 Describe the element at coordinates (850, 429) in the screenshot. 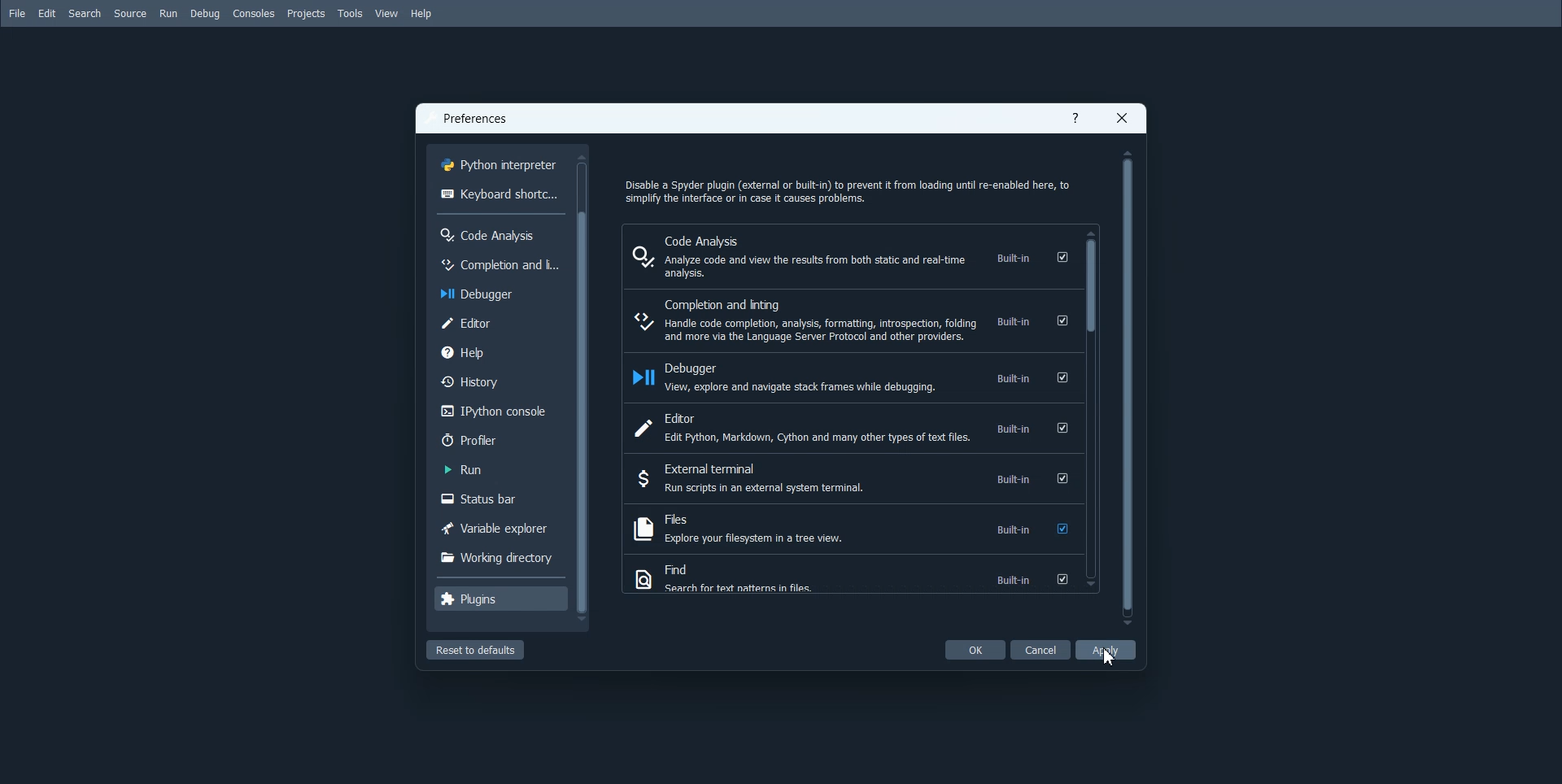

I see `Editor` at that location.